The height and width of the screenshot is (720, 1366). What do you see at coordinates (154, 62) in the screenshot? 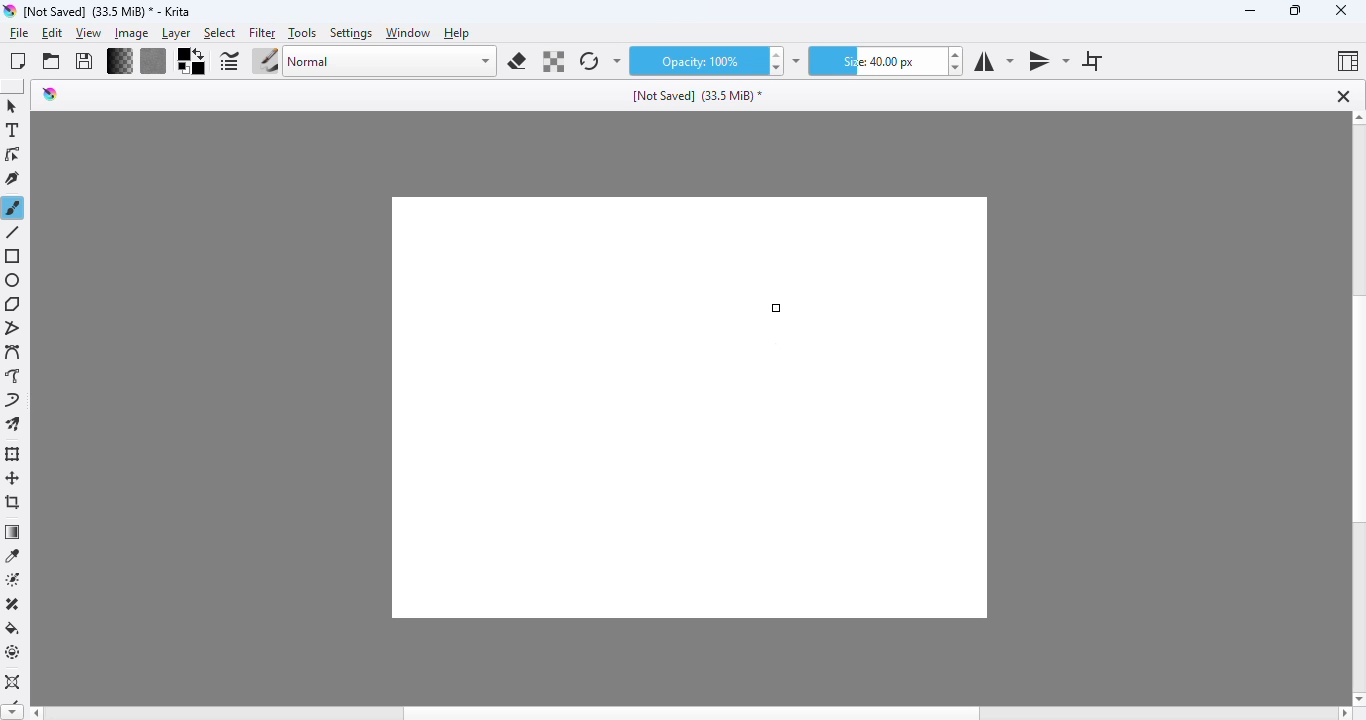
I see `fill patterns` at bounding box center [154, 62].